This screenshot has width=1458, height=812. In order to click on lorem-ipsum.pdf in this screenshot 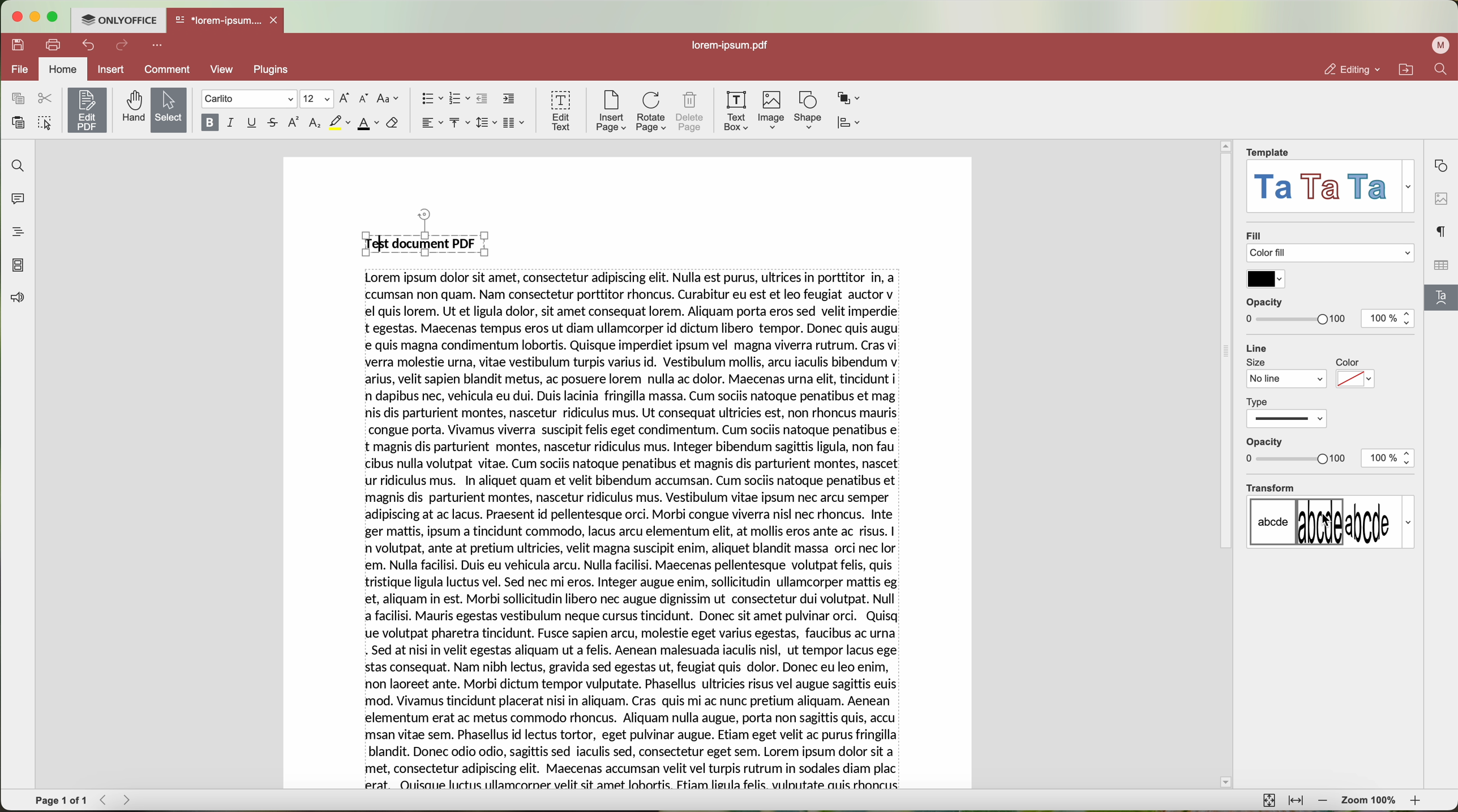, I will do `click(728, 46)`.